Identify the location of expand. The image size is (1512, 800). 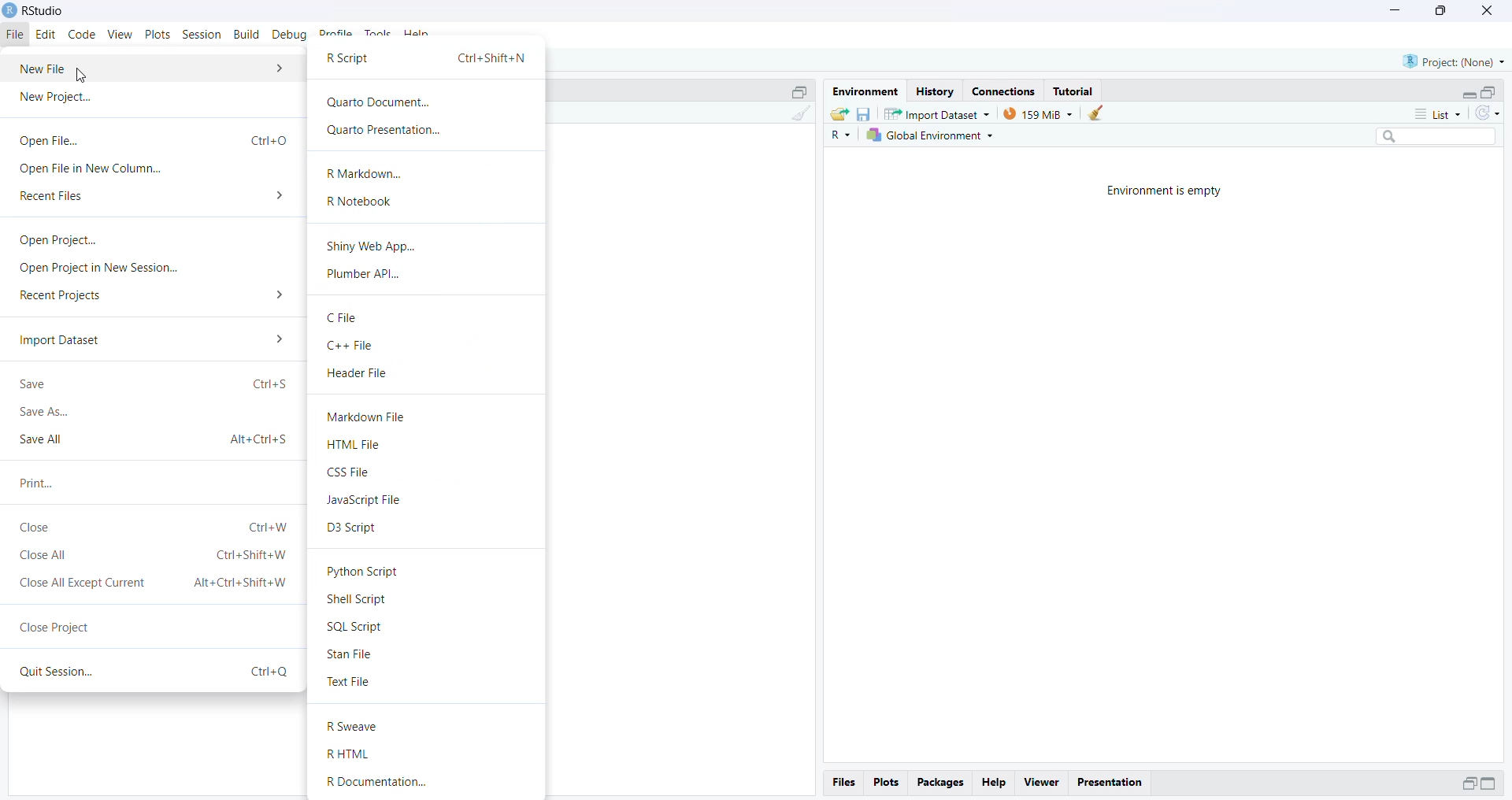
(1492, 784).